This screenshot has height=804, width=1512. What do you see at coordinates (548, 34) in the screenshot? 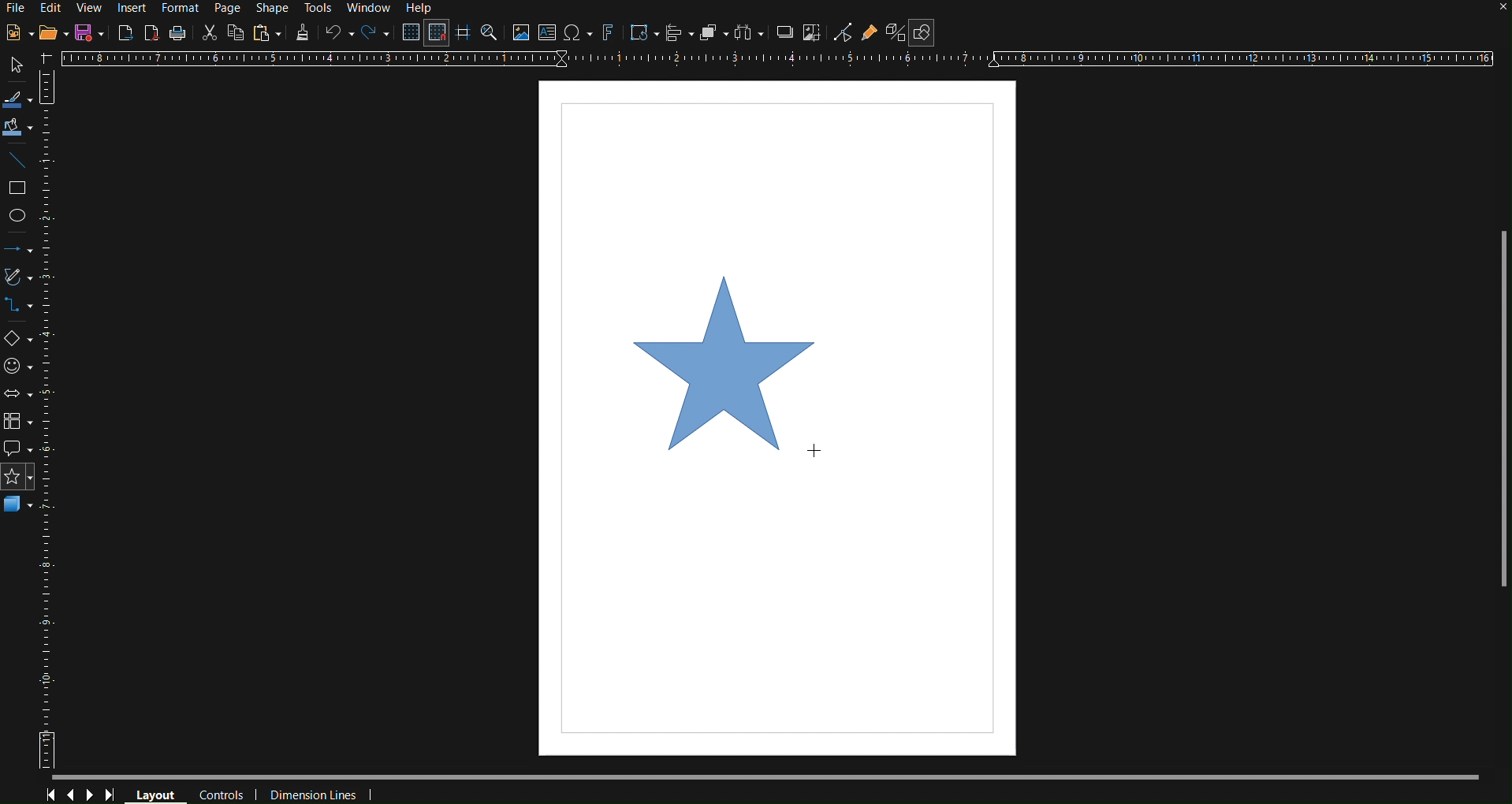
I see `Insert Wordbox` at bounding box center [548, 34].